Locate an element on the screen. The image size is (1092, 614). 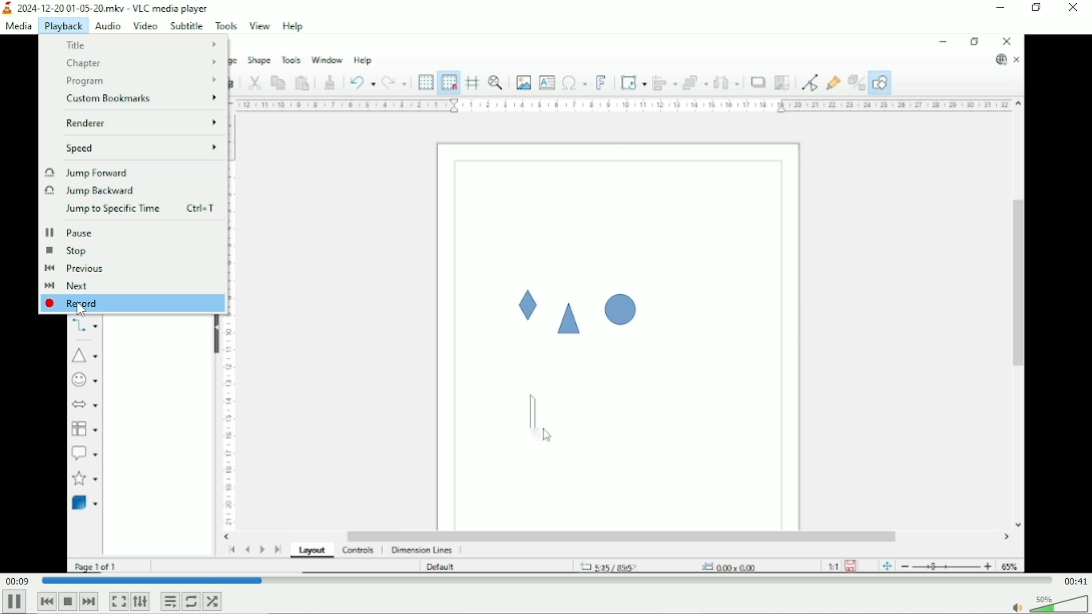
Media is located at coordinates (18, 27).